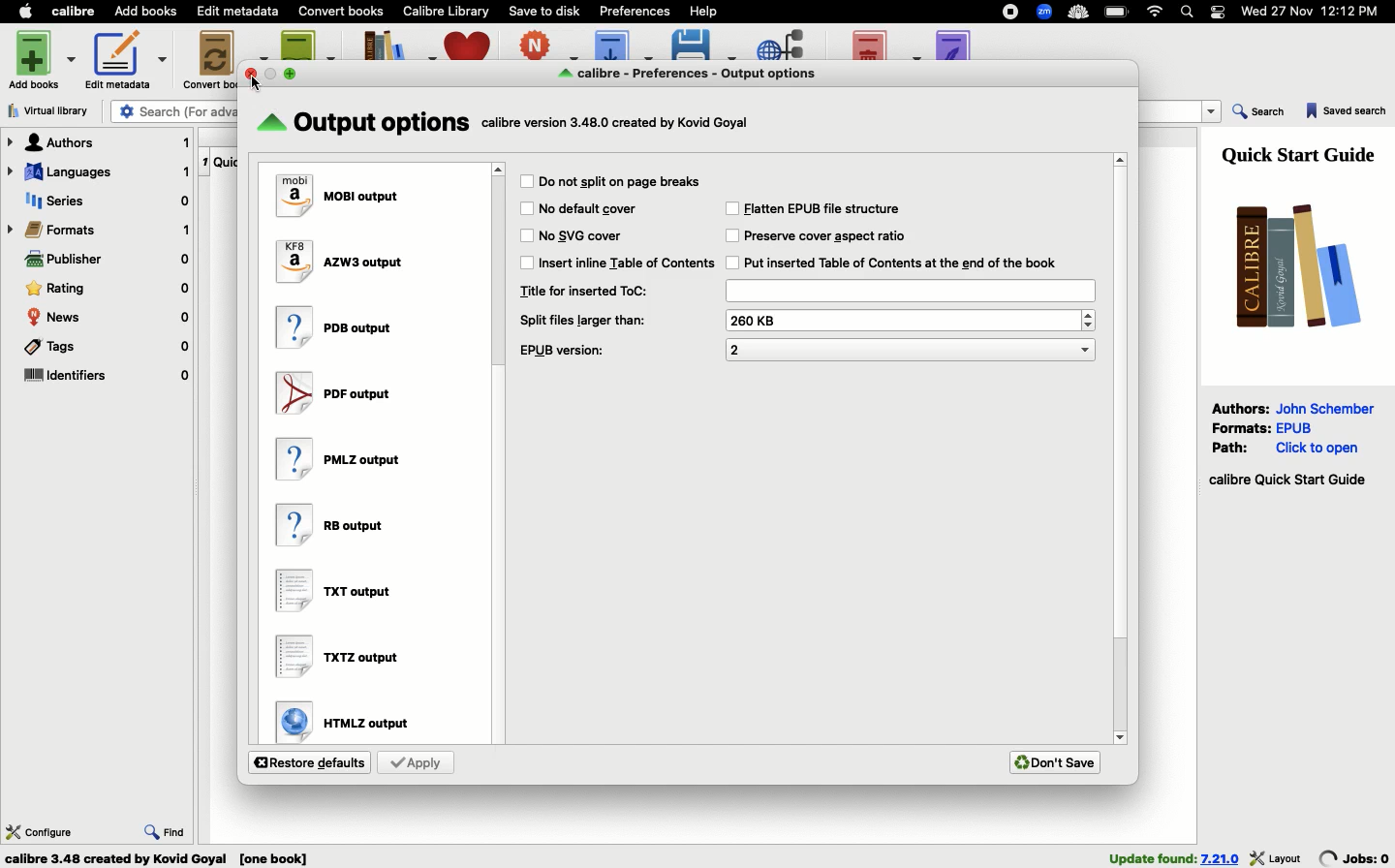 The image size is (1395, 868). I want to click on Identifiers, so click(107, 377).